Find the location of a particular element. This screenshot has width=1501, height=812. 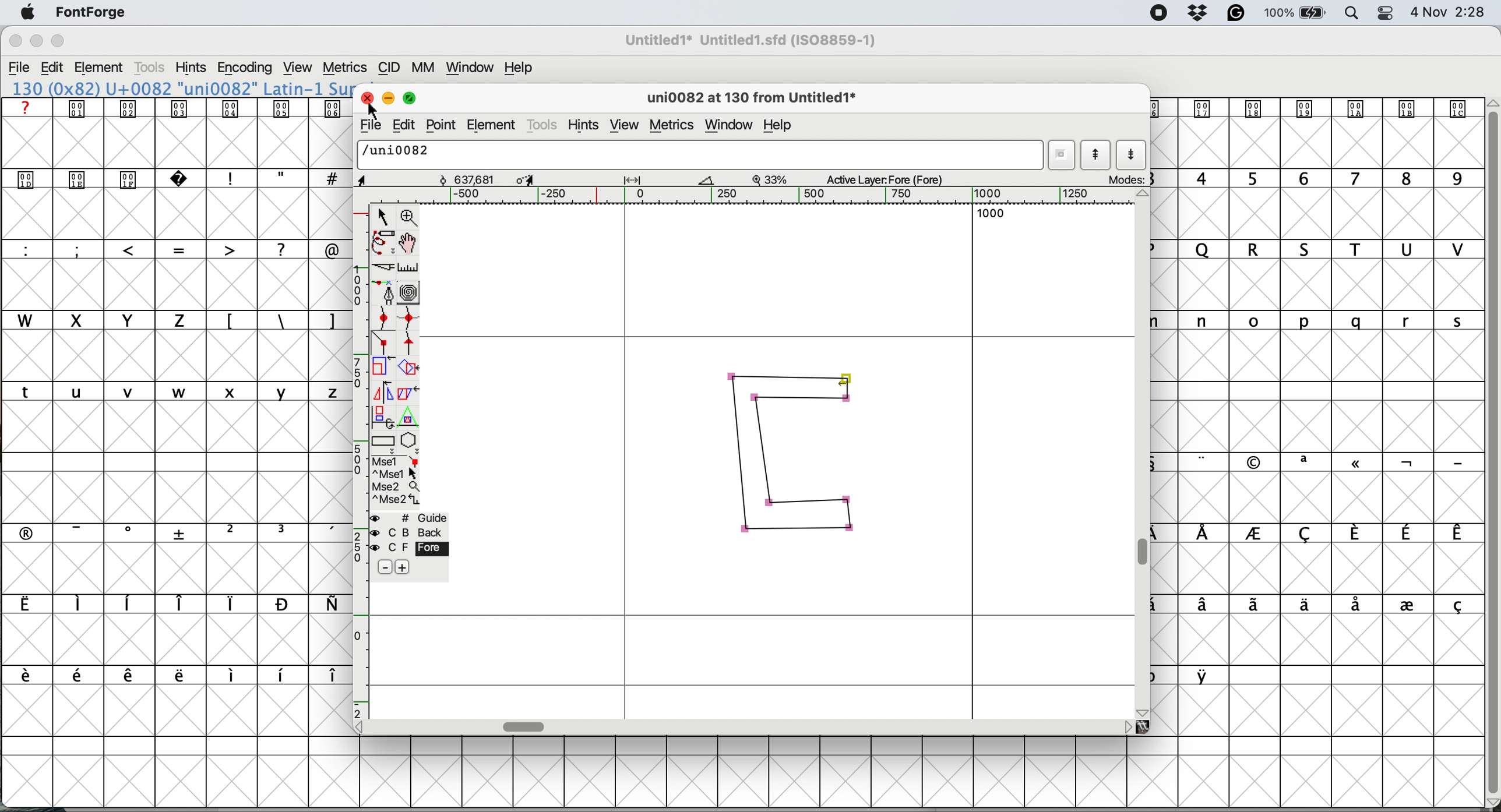

window is located at coordinates (472, 68).